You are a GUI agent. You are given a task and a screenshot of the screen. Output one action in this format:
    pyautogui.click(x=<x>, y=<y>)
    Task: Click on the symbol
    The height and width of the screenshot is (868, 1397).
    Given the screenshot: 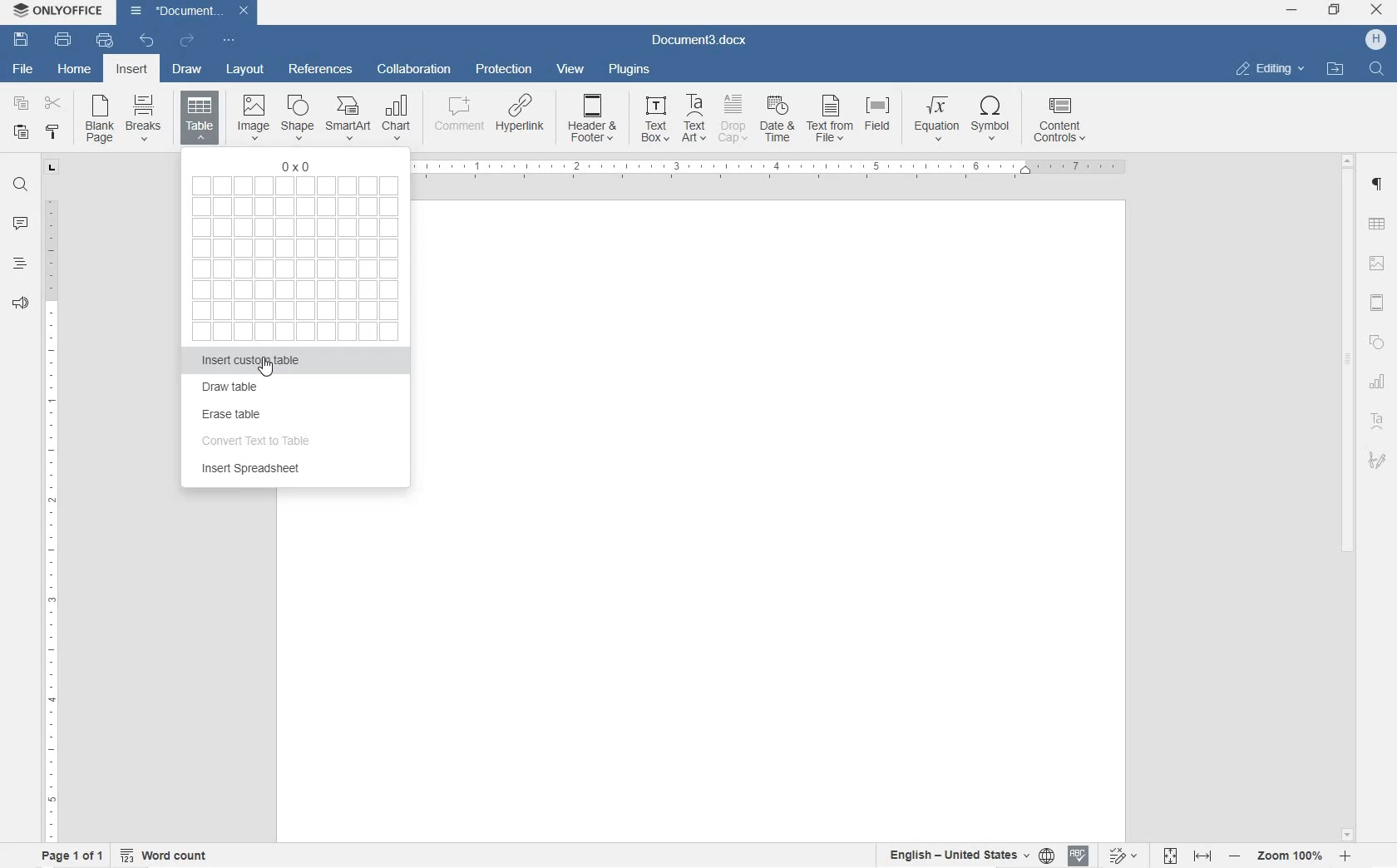 What is the action you would take?
    pyautogui.click(x=992, y=120)
    